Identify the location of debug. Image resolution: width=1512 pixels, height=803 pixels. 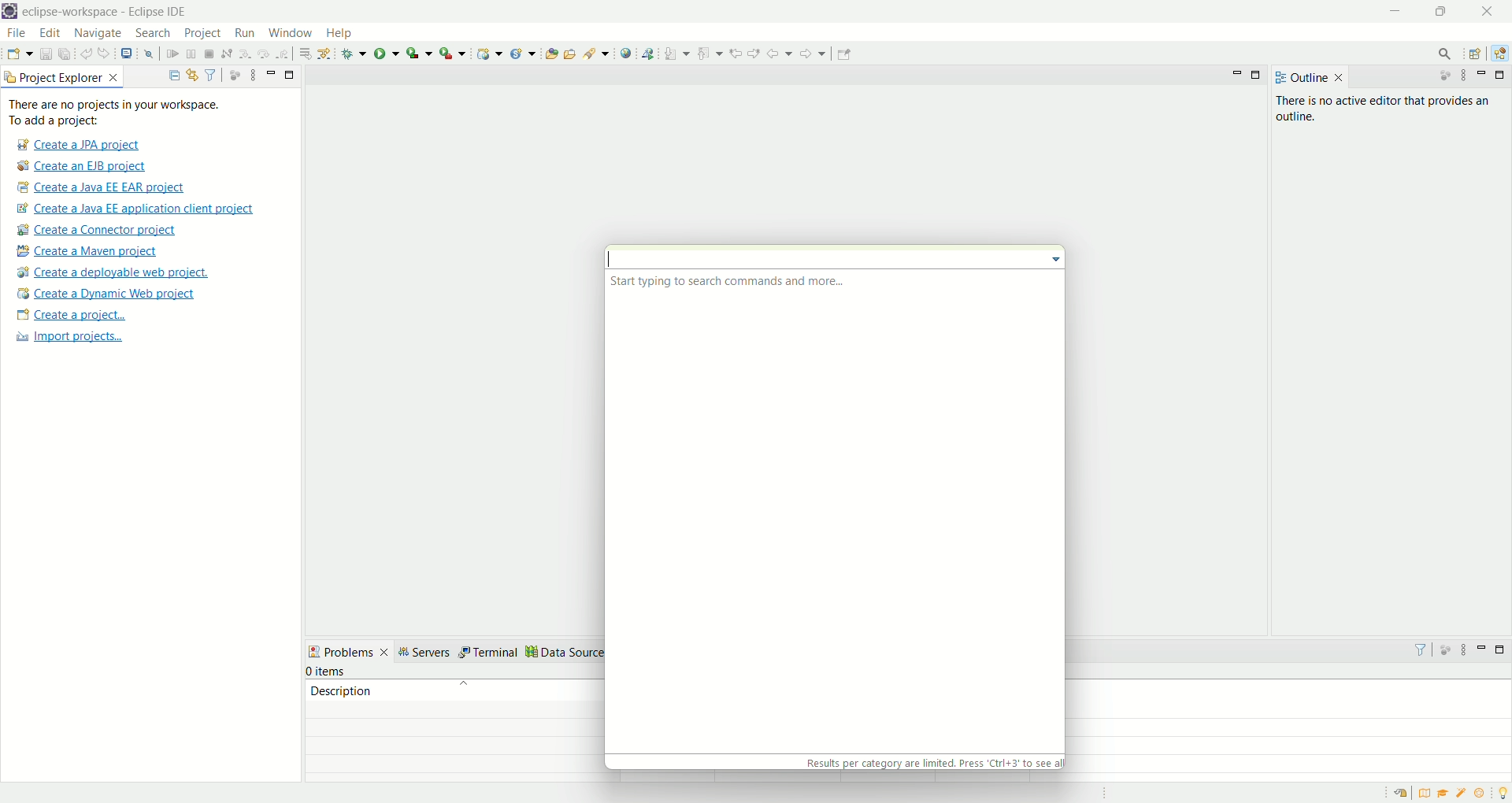
(354, 54).